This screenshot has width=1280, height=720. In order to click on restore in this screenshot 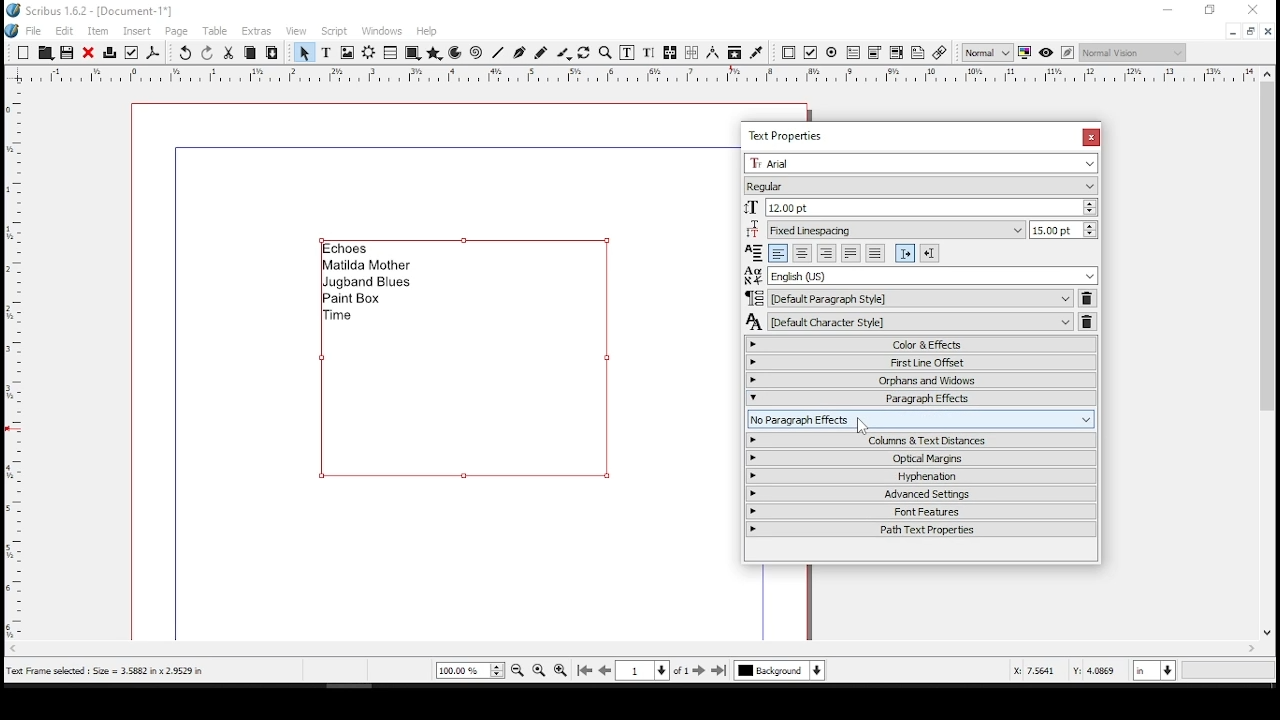, I will do `click(1249, 31)`.